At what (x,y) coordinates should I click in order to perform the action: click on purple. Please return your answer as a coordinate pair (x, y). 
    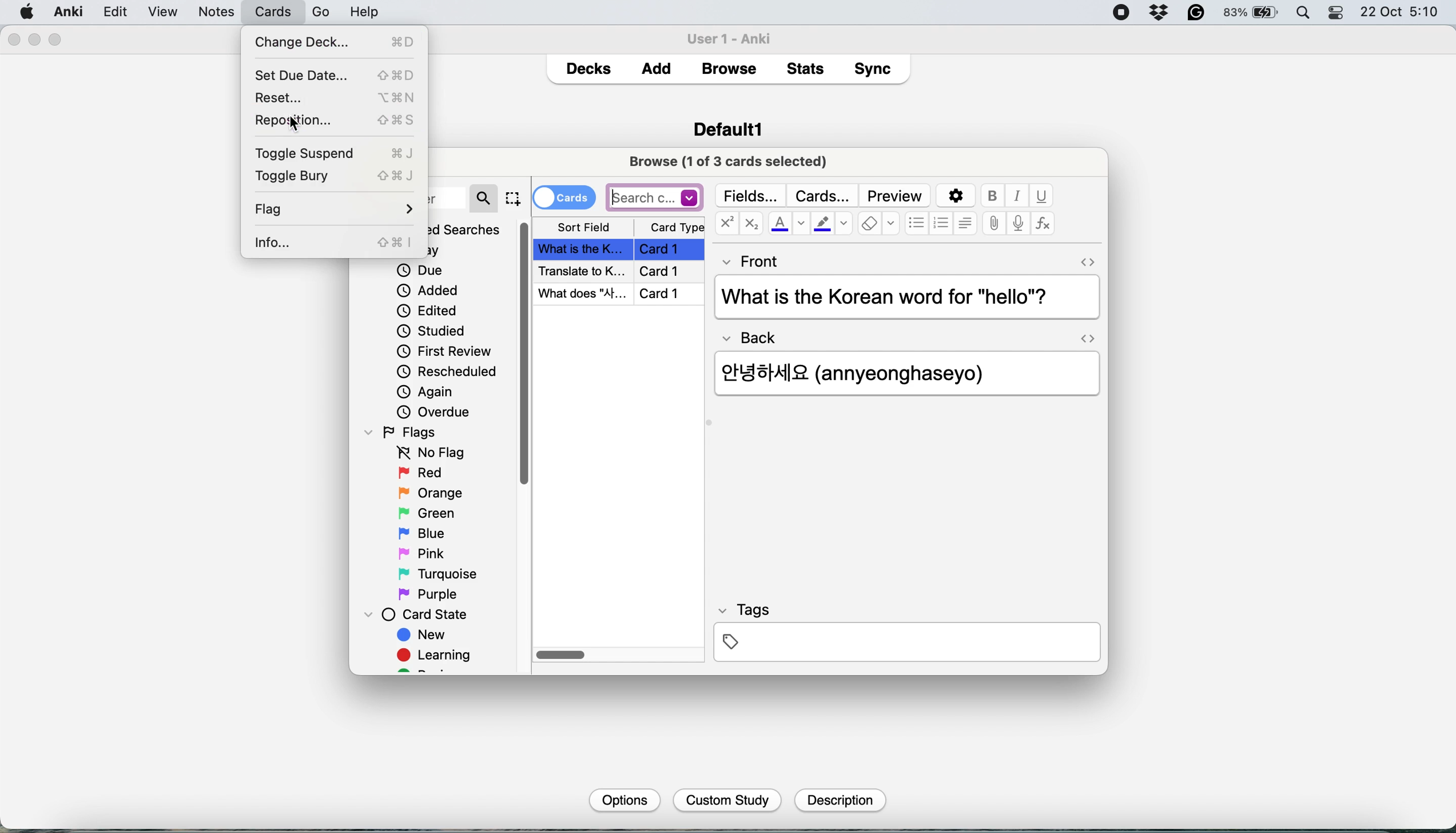
    Looking at the image, I should click on (430, 594).